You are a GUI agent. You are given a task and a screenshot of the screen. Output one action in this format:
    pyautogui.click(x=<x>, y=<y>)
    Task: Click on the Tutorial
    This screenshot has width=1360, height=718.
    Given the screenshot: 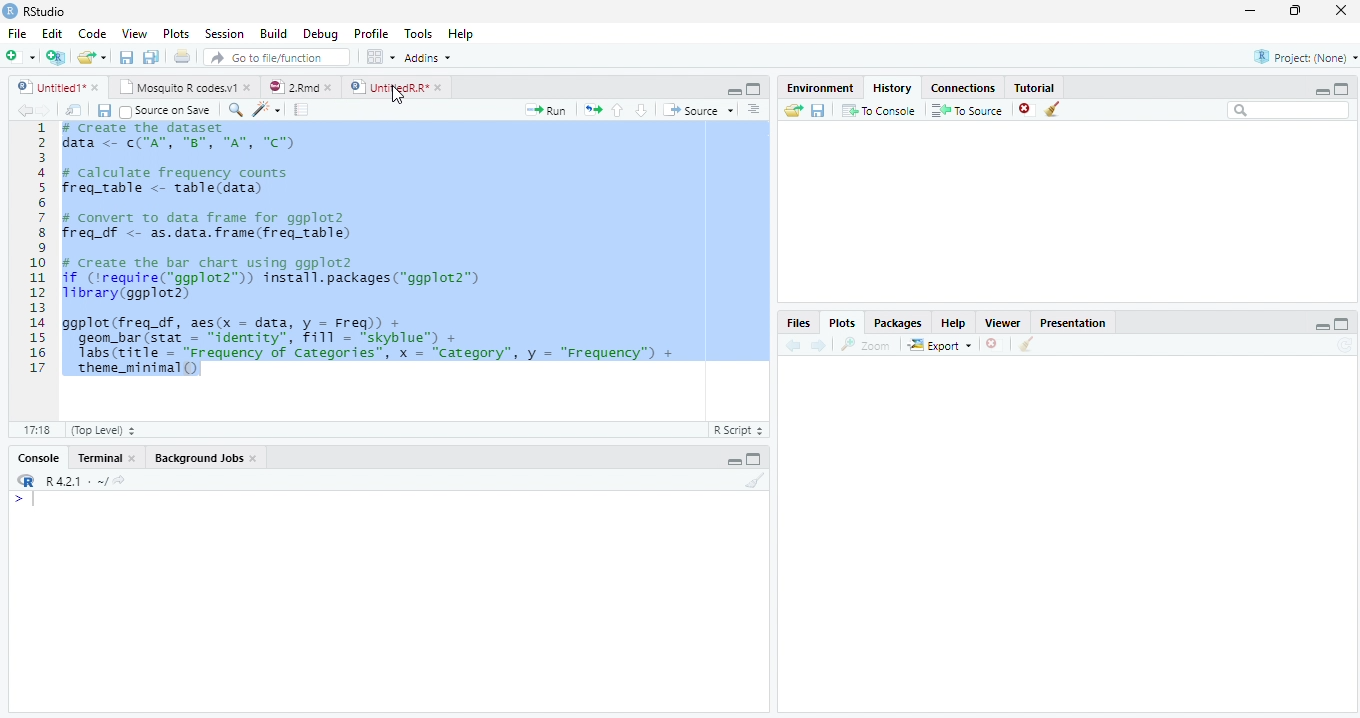 What is the action you would take?
    pyautogui.click(x=1035, y=87)
    